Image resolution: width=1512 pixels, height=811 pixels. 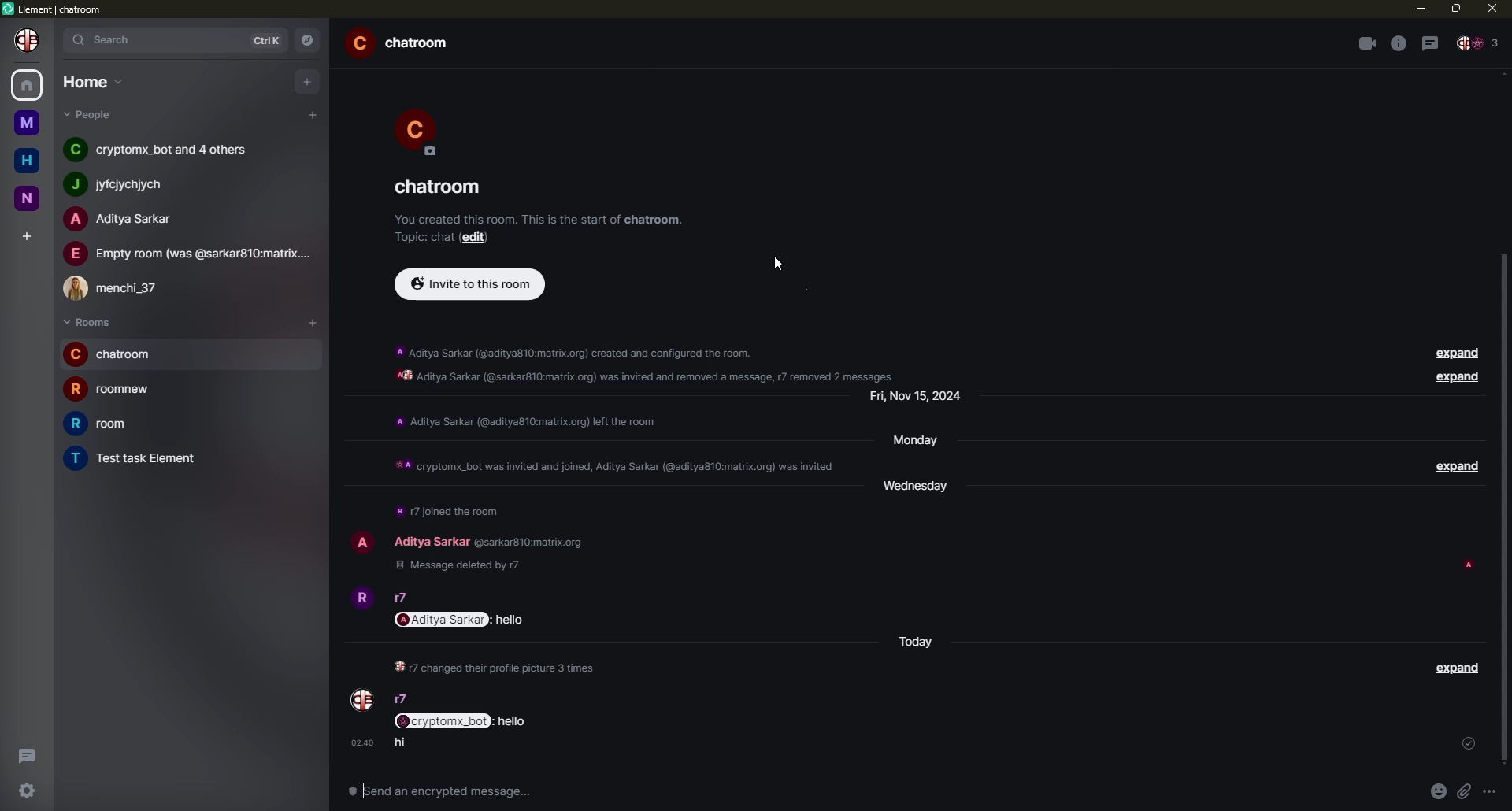 What do you see at coordinates (27, 159) in the screenshot?
I see `home` at bounding box center [27, 159].